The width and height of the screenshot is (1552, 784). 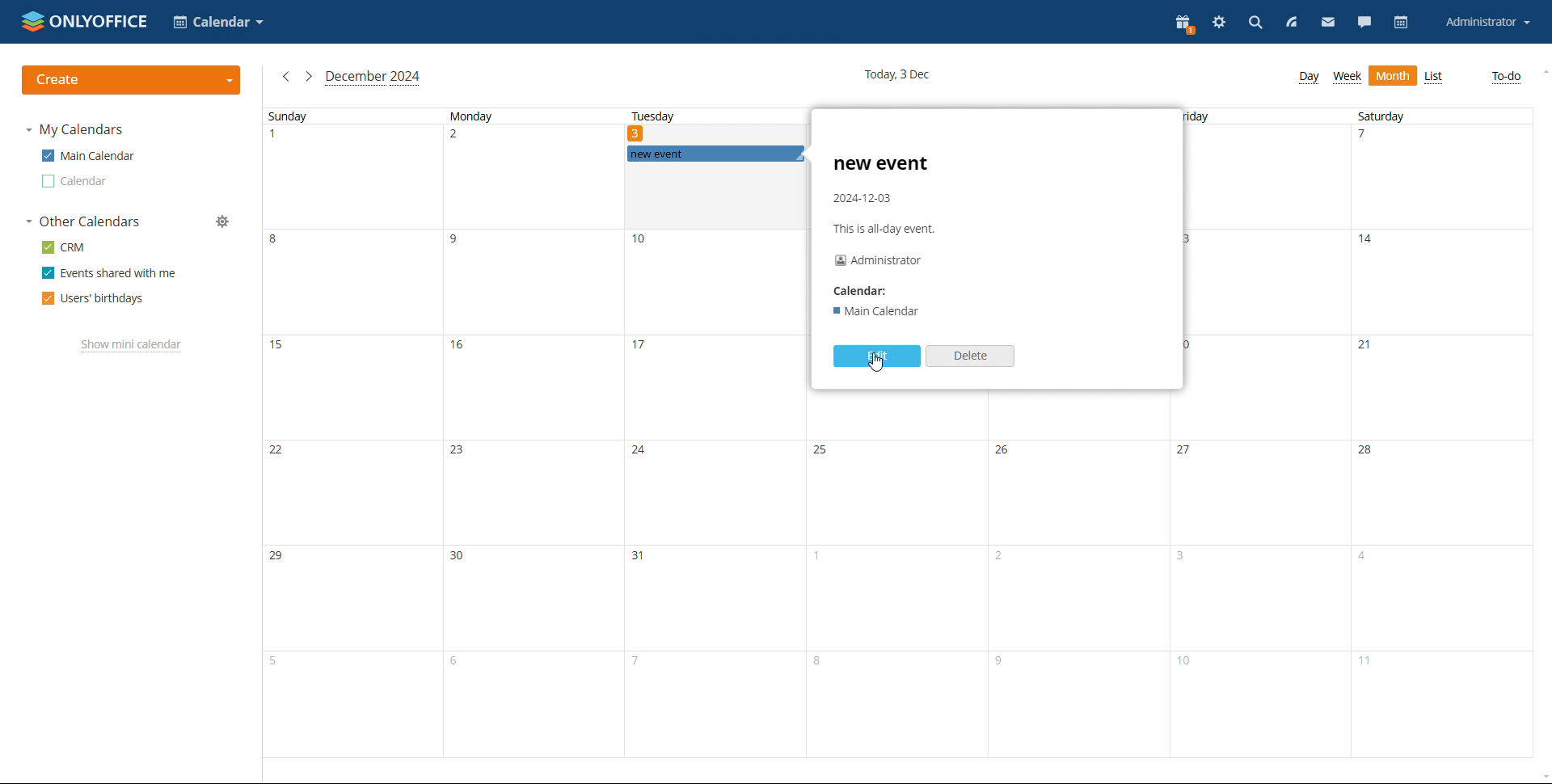 What do you see at coordinates (373, 78) in the screenshot?
I see `this month` at bounding box center [373, 78].